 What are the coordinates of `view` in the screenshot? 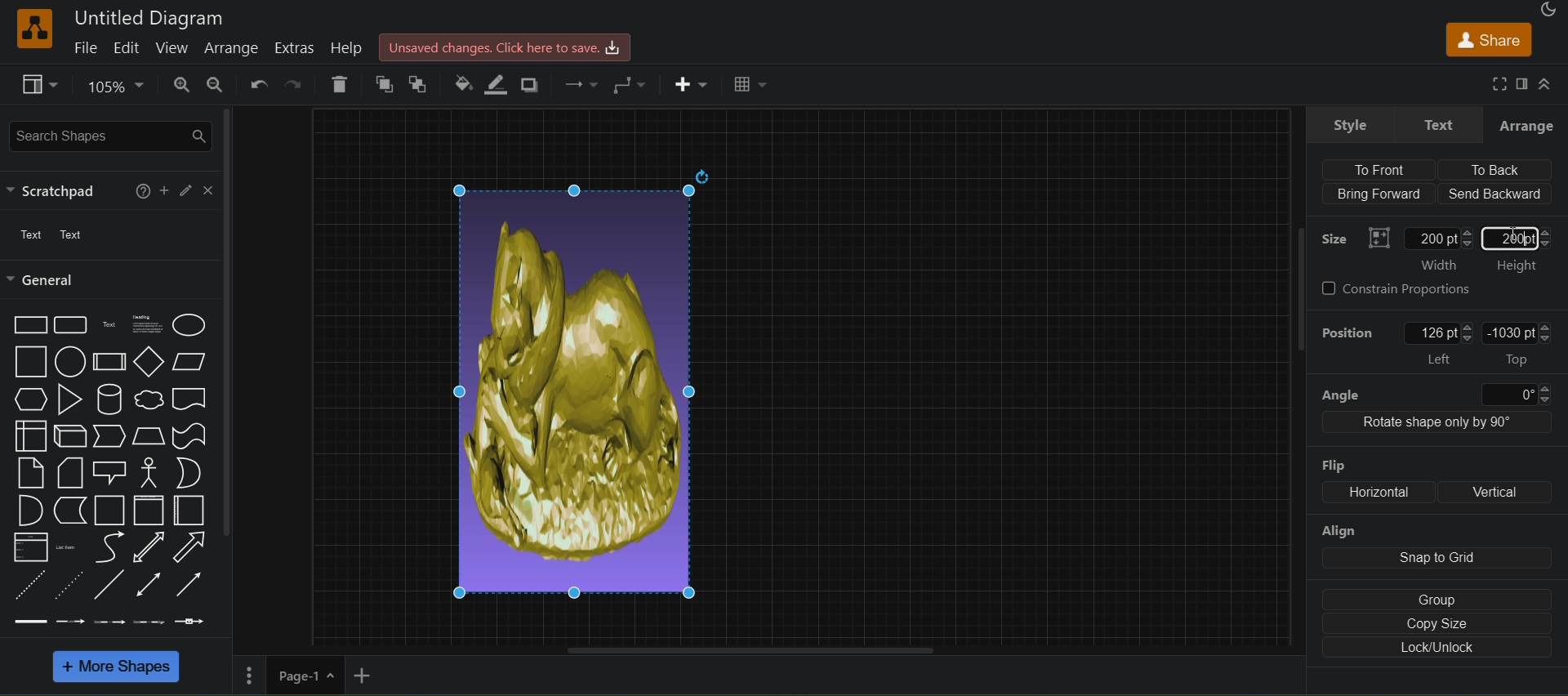 It's located at (169, 49).